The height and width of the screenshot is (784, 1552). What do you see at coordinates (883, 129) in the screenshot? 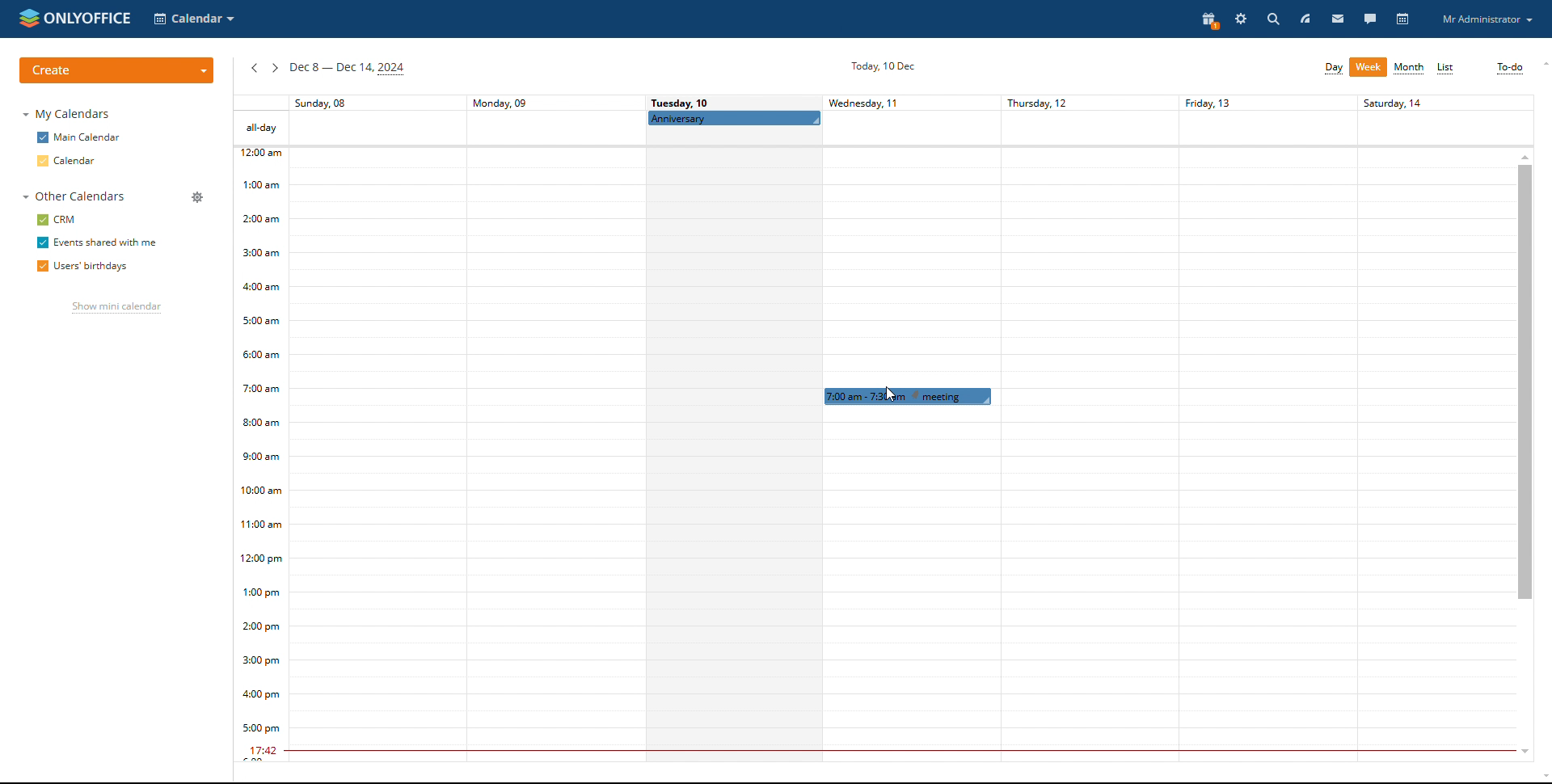
I see `all day events` at bounding box center [883, 129].